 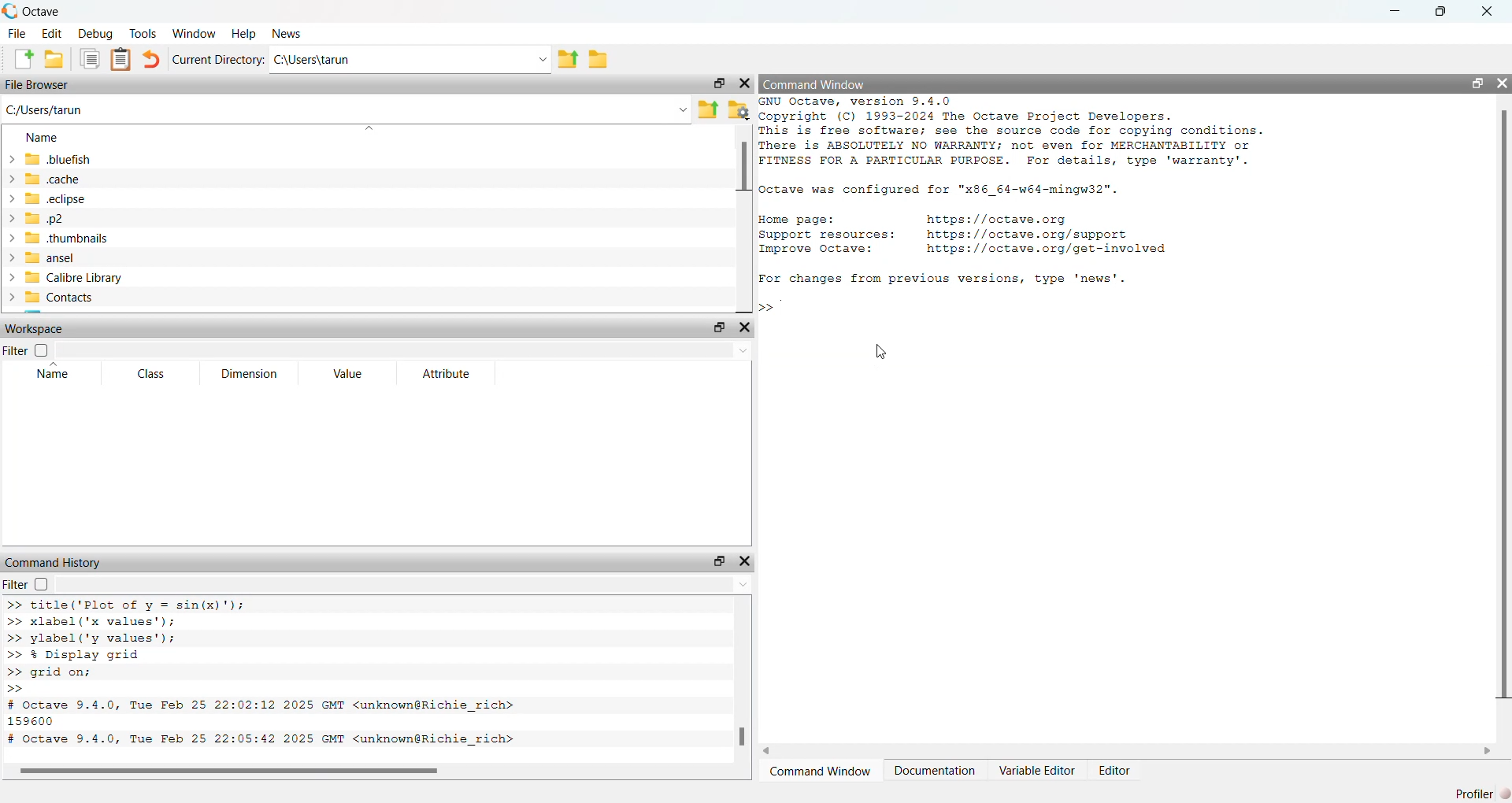 What do you see at coordinates (18, 690) in the screenshot?
I see `>>` at bounding box center [18, 690].